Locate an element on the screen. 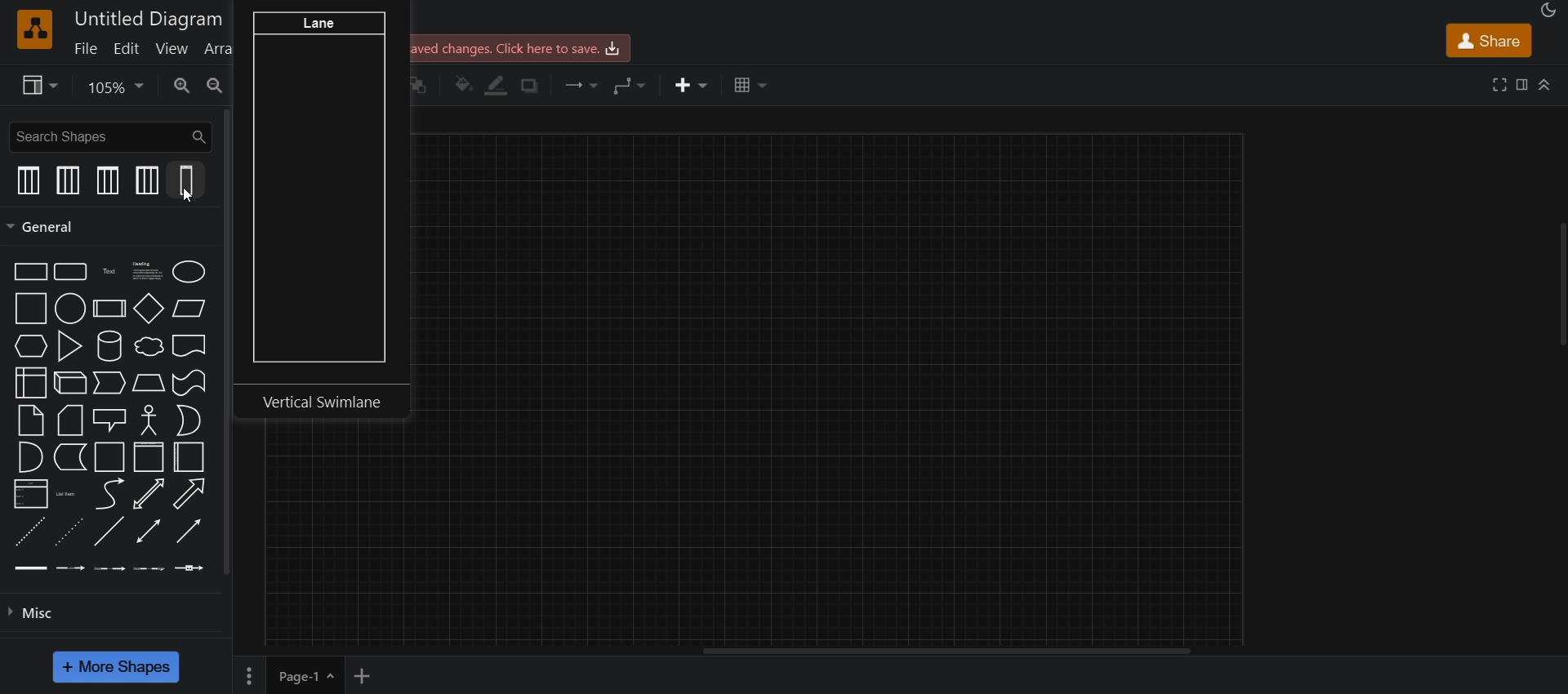 The height and width of the screenshot is (694, 1568). bidirectional connector is located at coordinates (148, 535).